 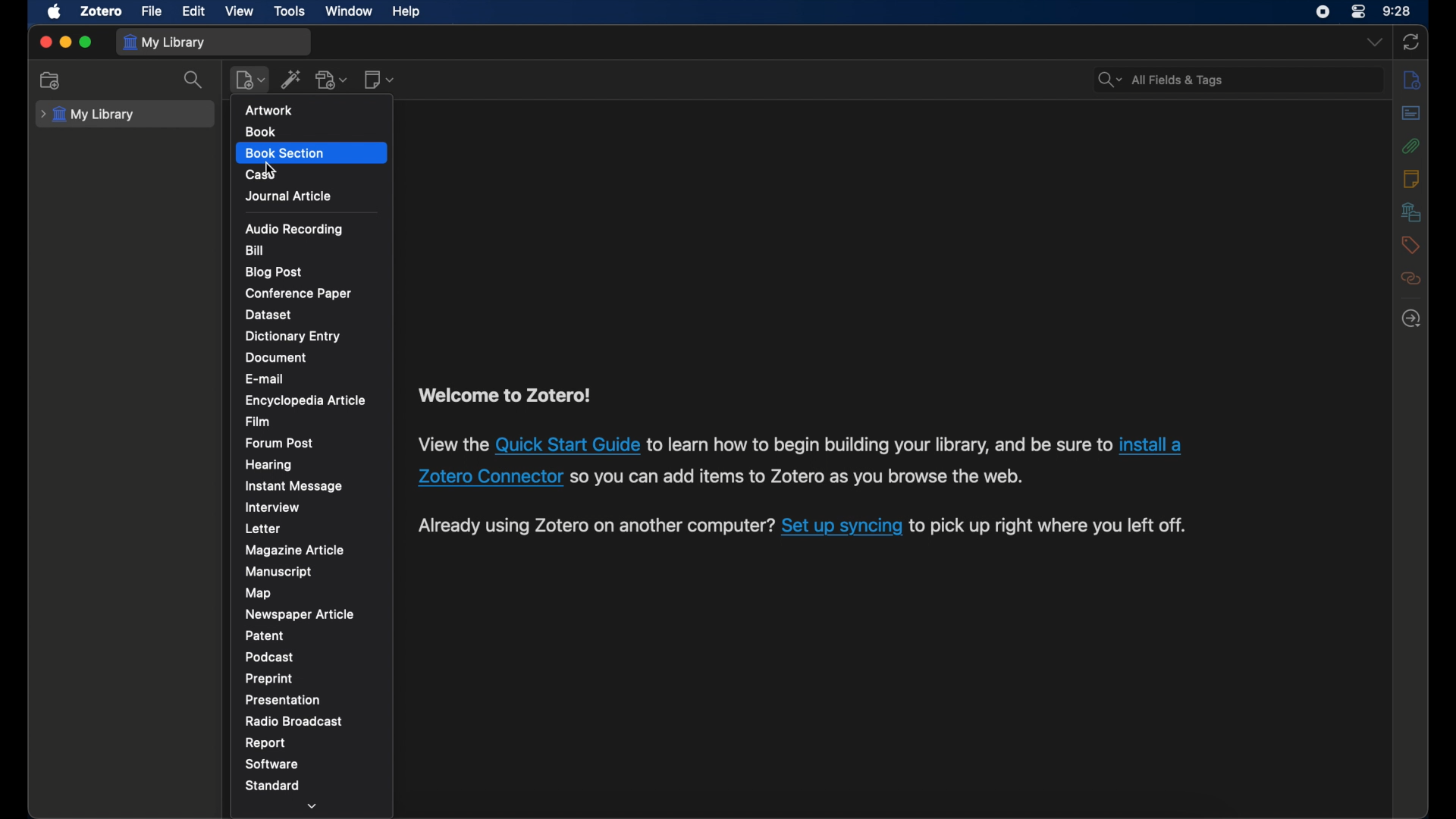 What do you see at coordinates (49, 80) in the screenshot?
I see `new collection` at bounding box center [49, 80].